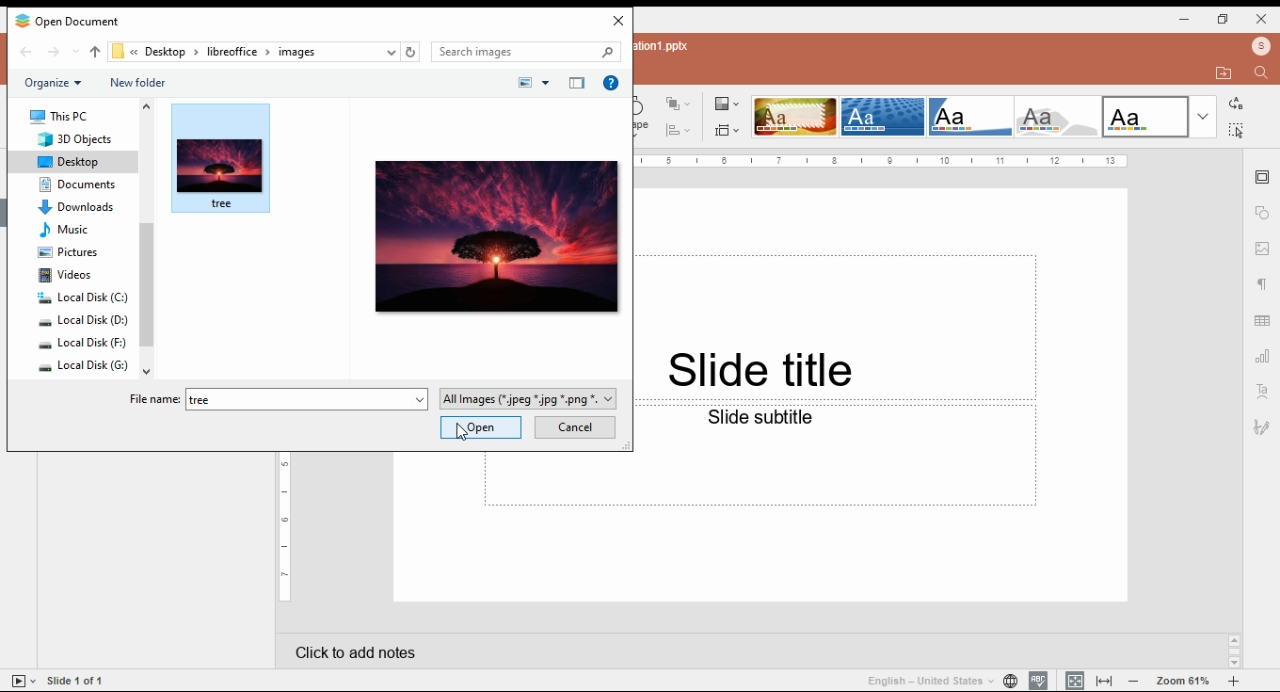 This screenshot has width=1280, height=692. Describe the element at coordinates (674, 130) in the screenshot. I see `Align shape` at that location.